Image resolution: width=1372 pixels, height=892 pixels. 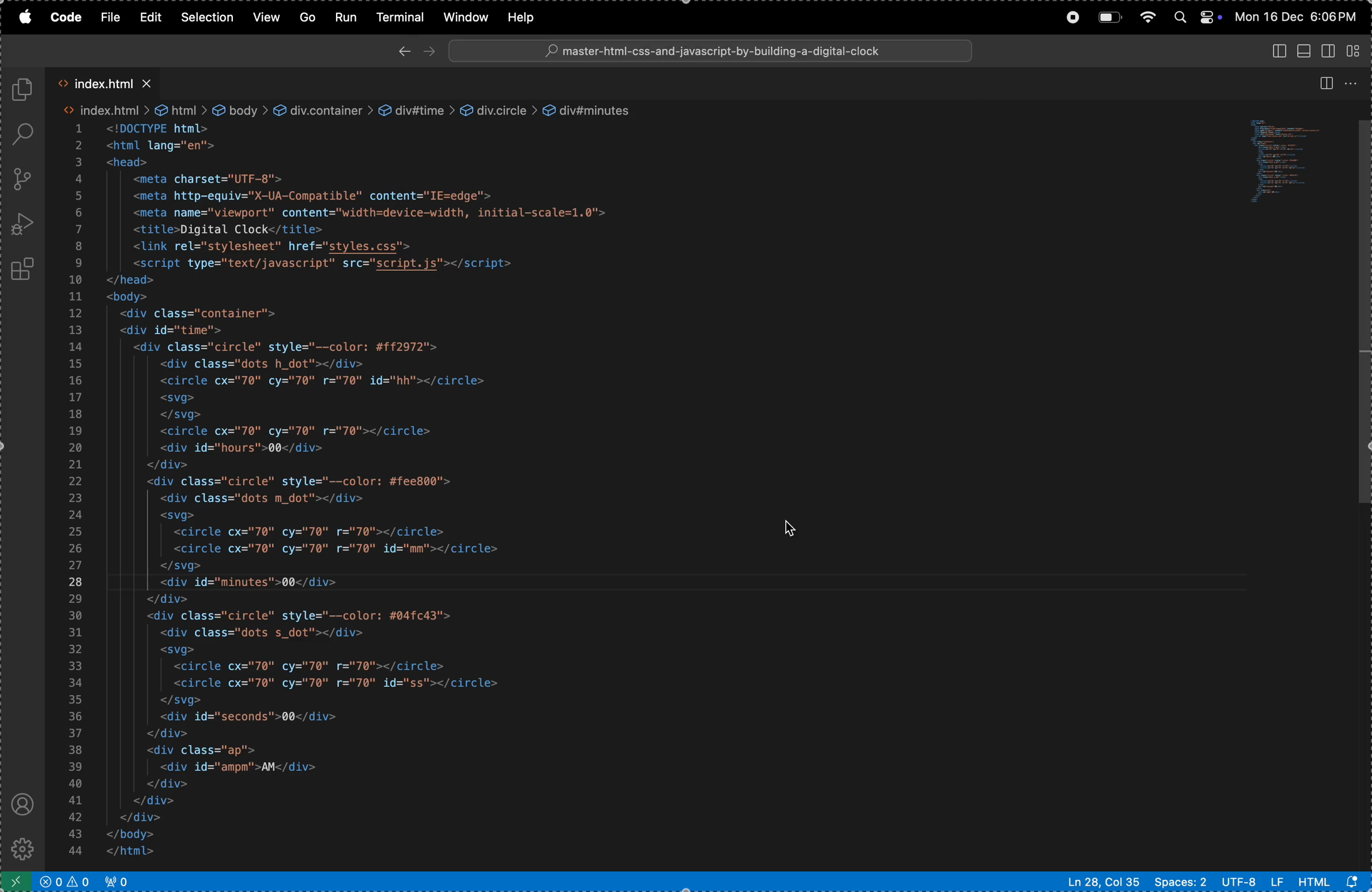 What do you see at coordinates (400, 18) in the screenshot?
I see `terminal` at bounding box center [400, 18].